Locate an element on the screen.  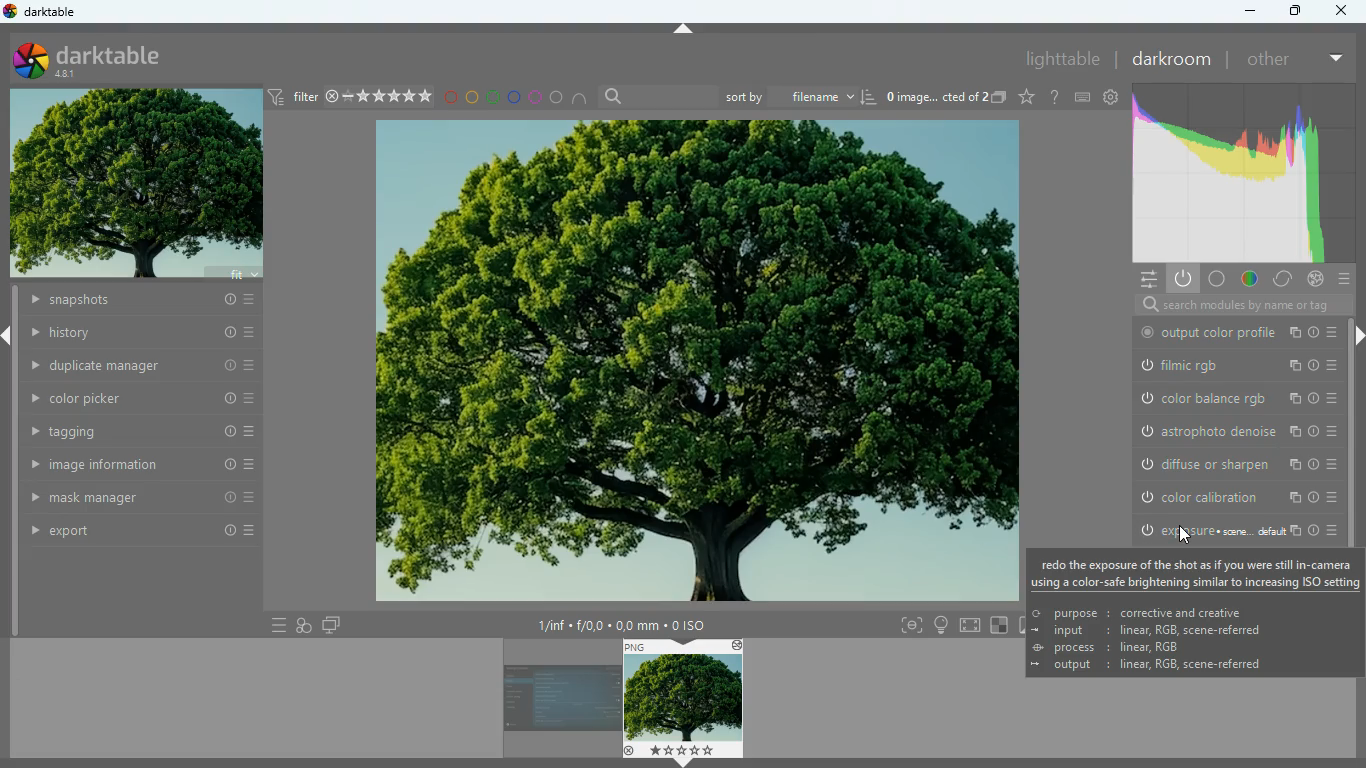
menu is located at coordinates (269, 625).